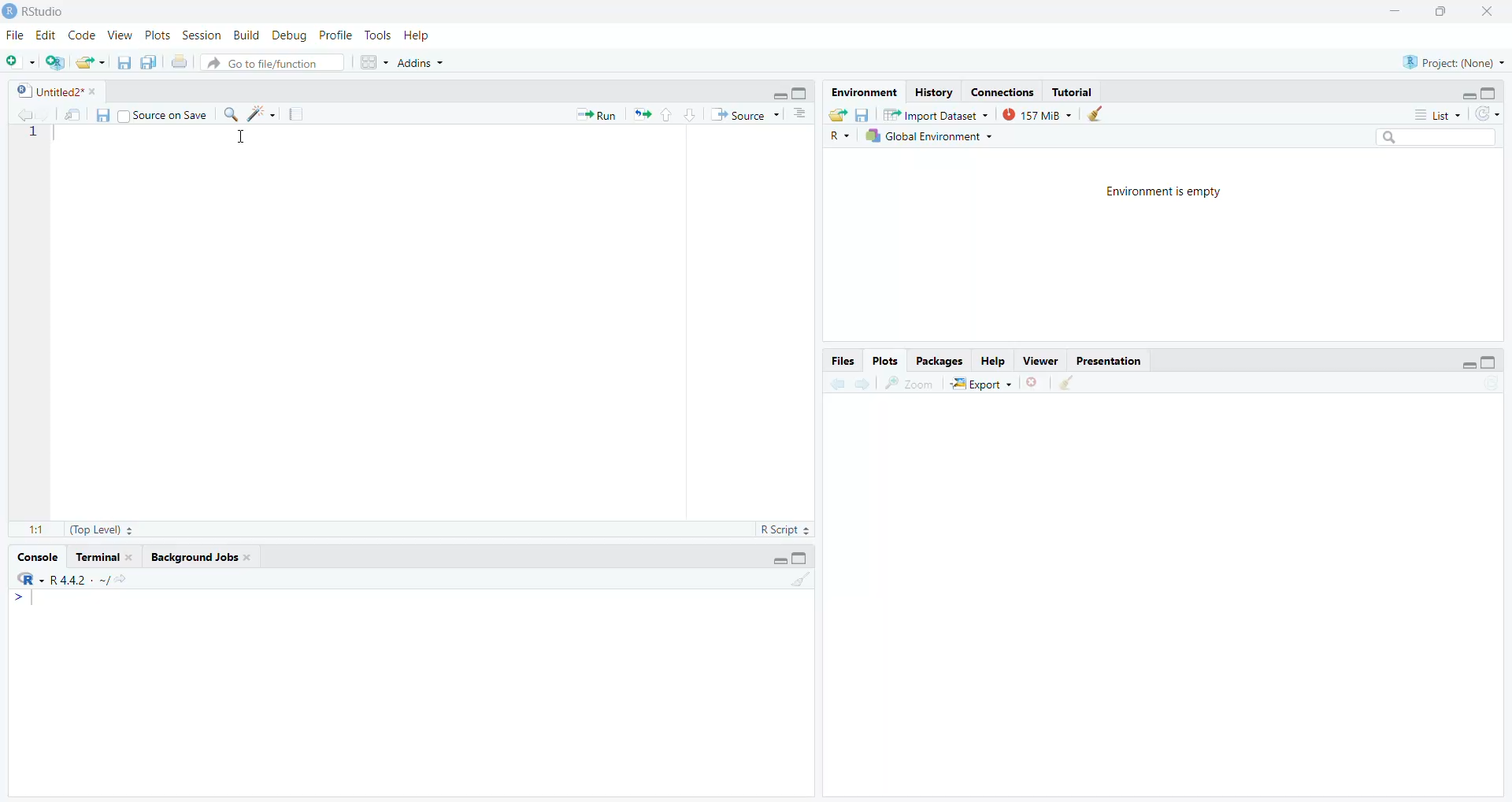  Describe the element at coordinates (1002, 91) in the screenshot. I see `Connections` at that location.